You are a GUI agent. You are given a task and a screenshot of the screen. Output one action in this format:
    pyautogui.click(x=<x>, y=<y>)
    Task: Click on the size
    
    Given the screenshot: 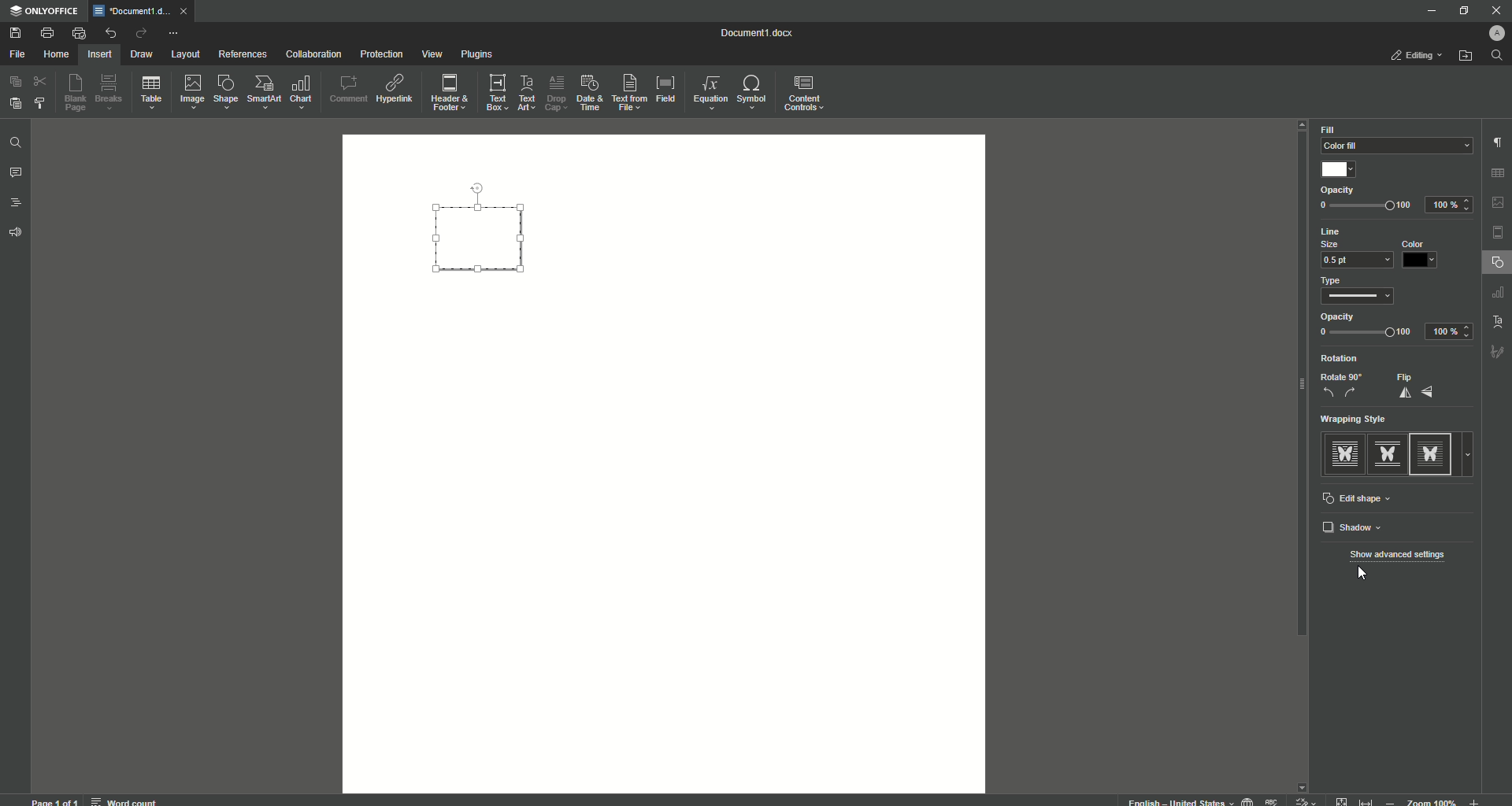 What is the action you would take?
    pyautogui.click(x=1336, y=244)
    